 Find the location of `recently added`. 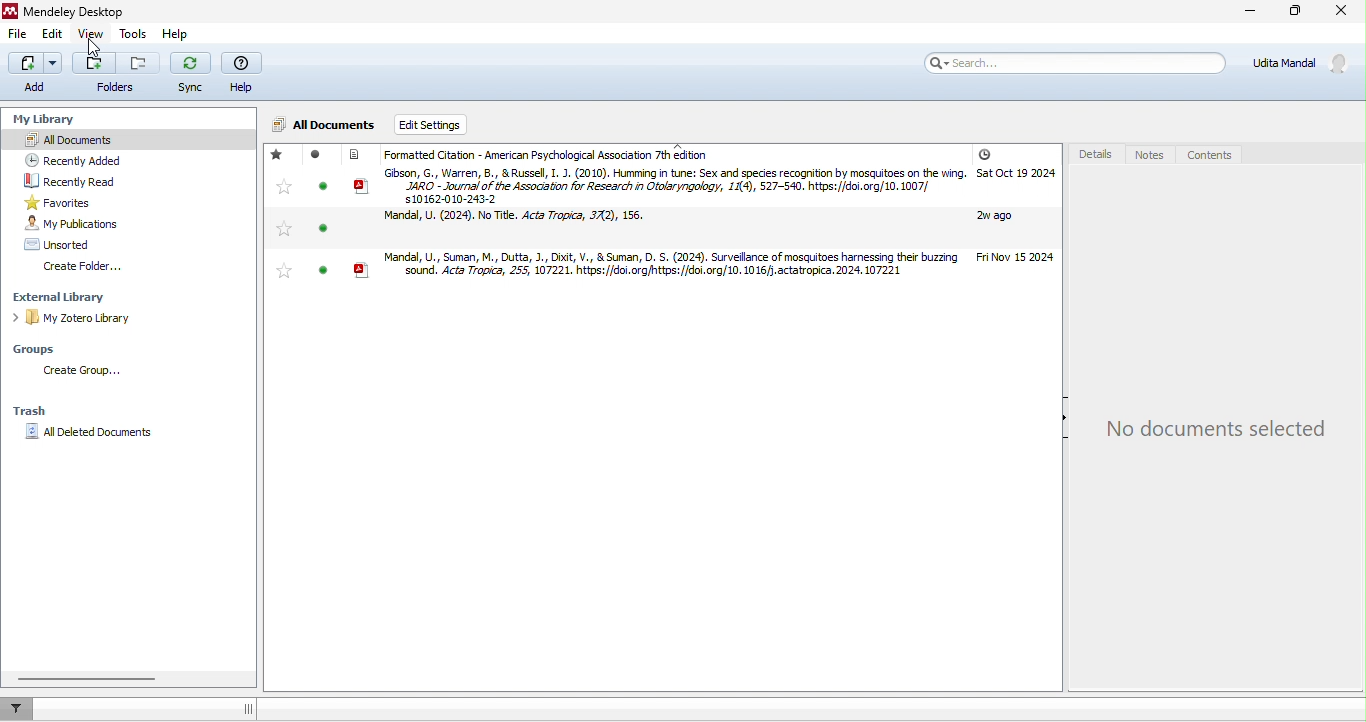

recently added is located at coordinates (79, 160).